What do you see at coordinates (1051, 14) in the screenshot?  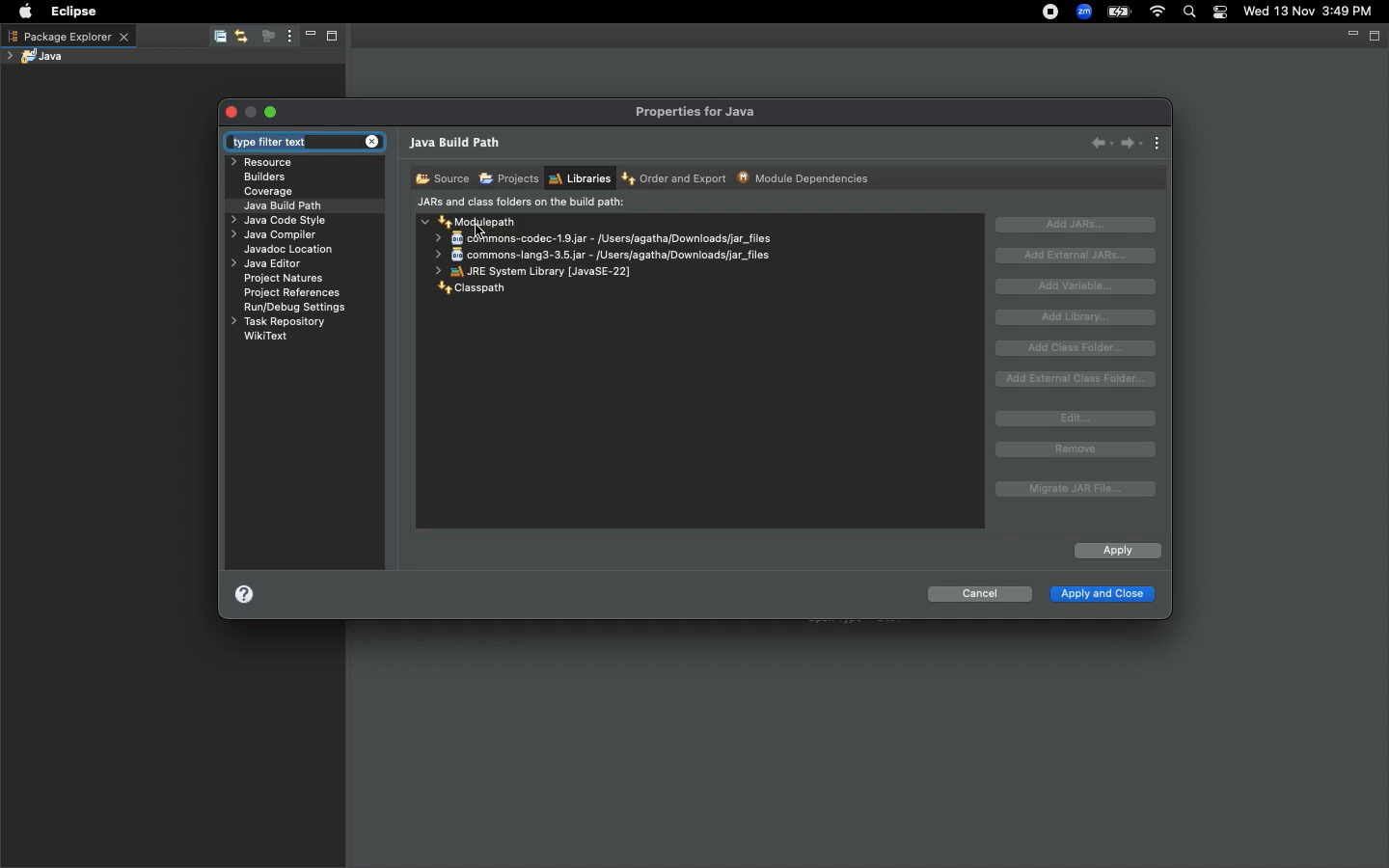 I see `Recording` at bounding box center [1051, 14].